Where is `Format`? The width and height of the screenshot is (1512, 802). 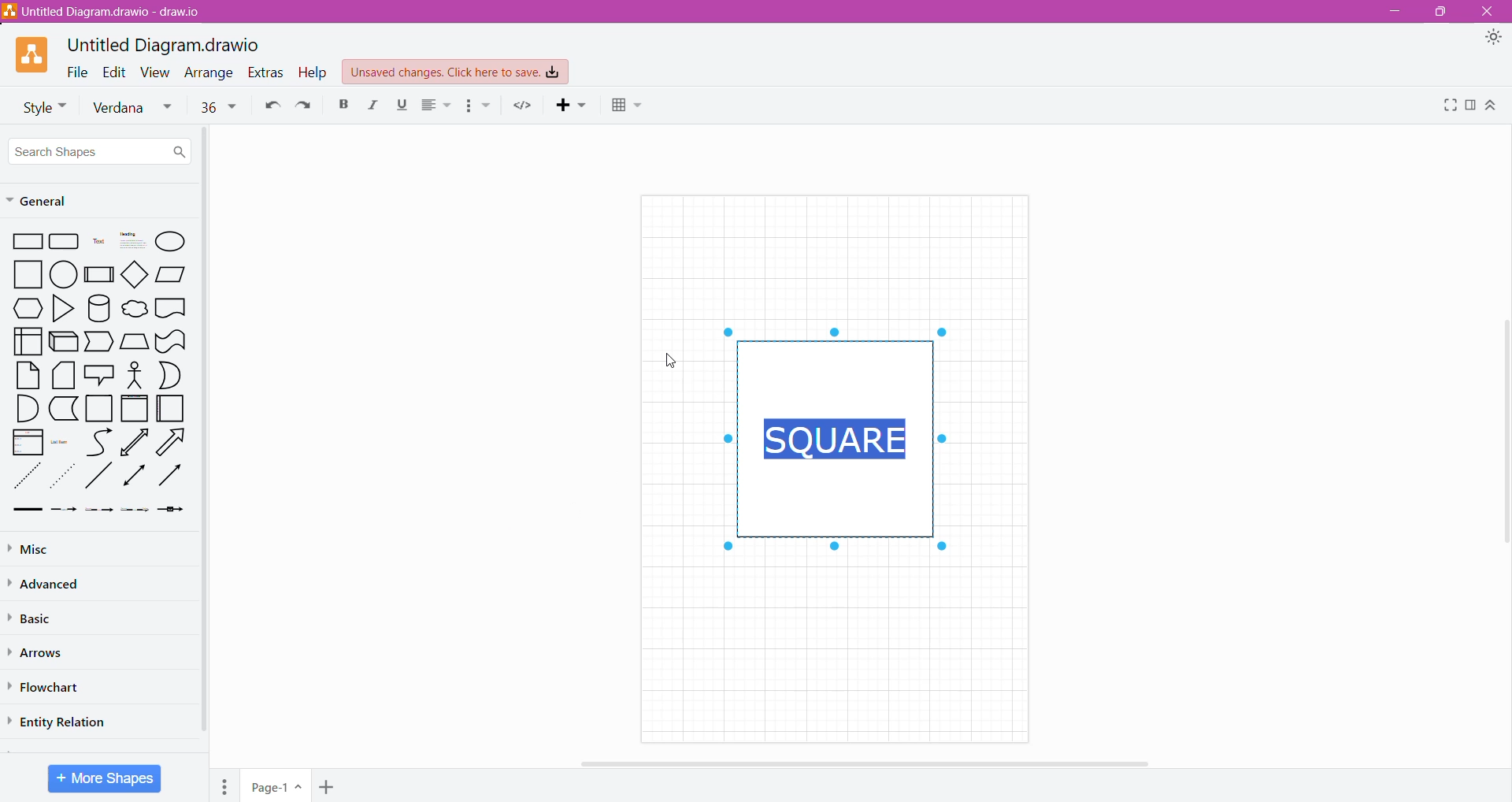 Format is located at coordinates (1473, 107).